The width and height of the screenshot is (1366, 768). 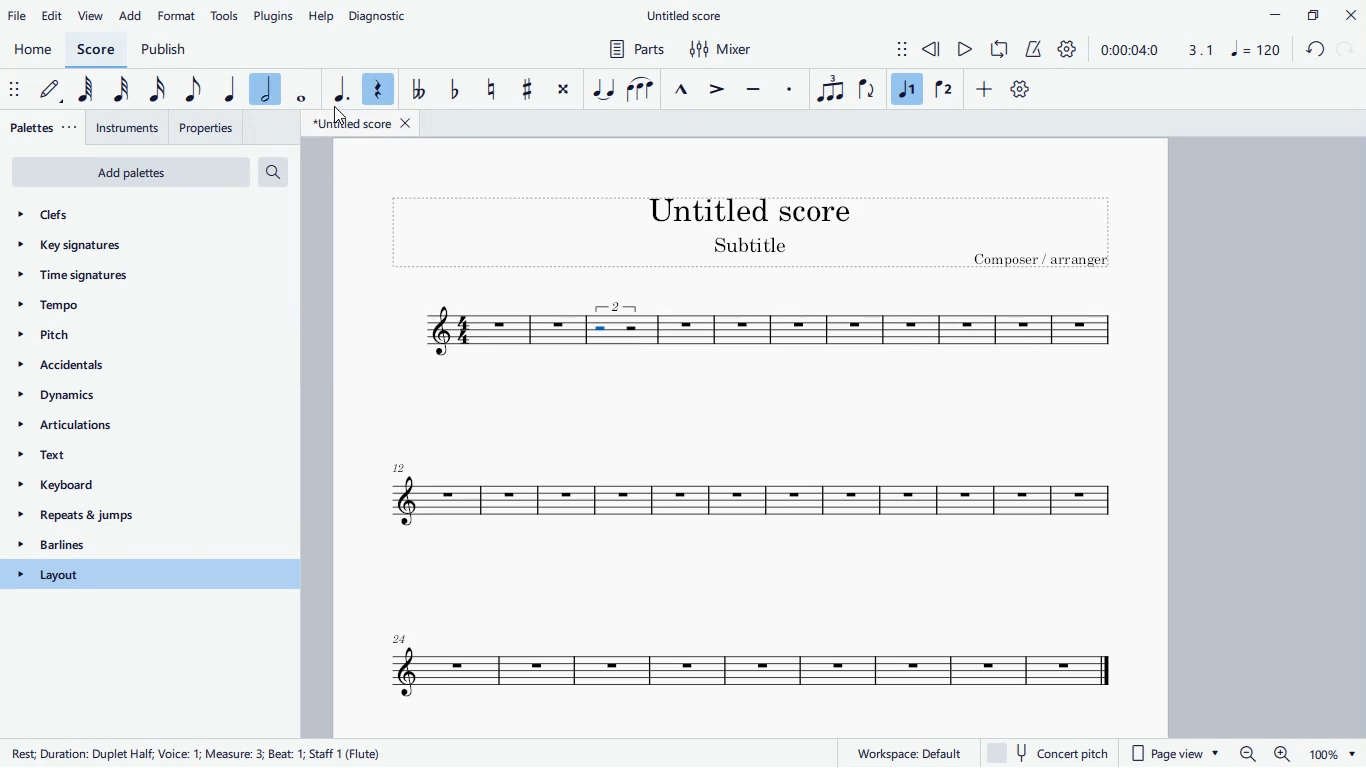 I want to click on home, so click(x=34, y=51).